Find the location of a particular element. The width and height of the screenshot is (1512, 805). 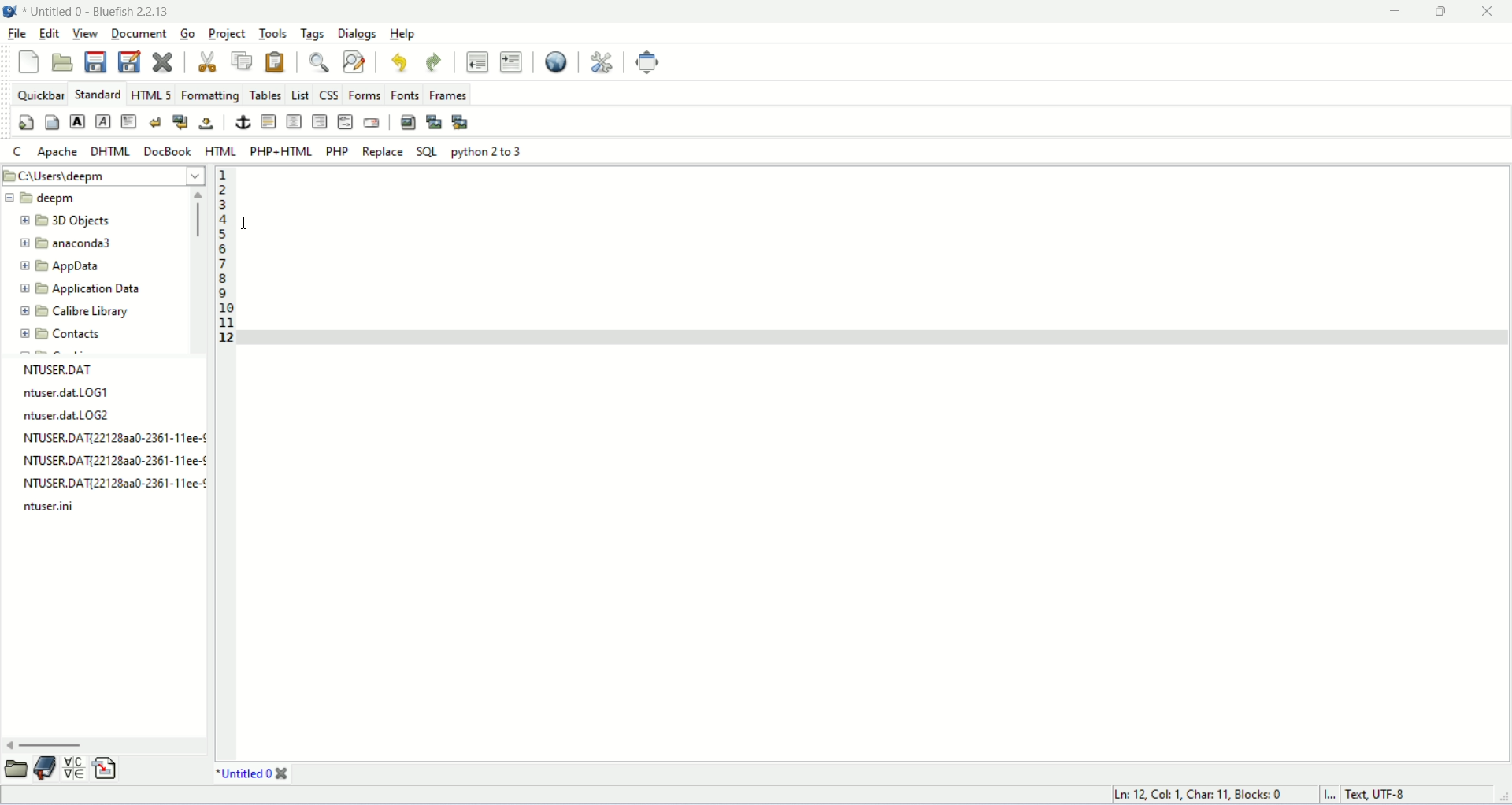

unindent is located at coordinates (477, 64).